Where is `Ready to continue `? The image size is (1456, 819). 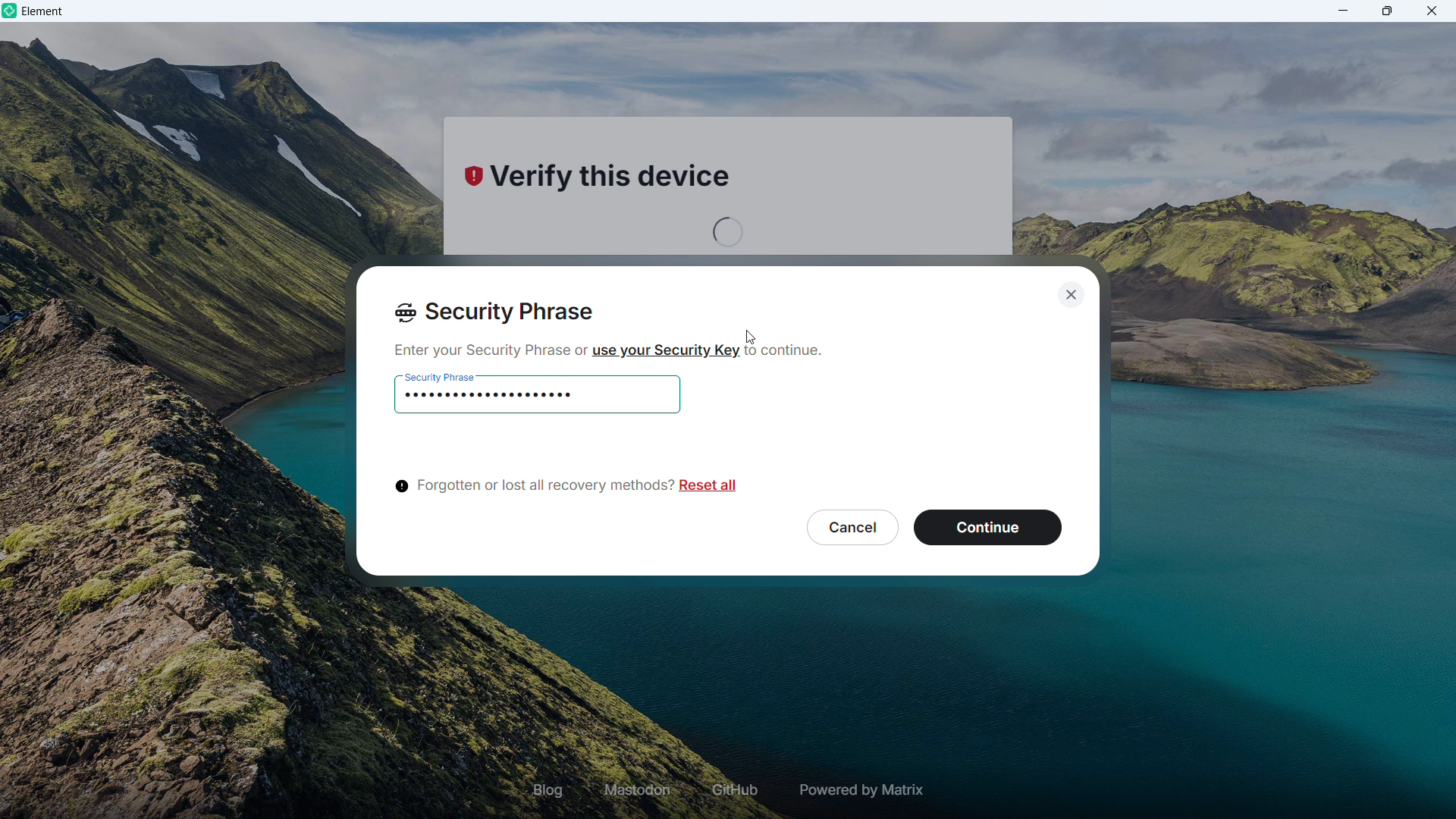 Ready to continue  is located at coordinates (987, 527).